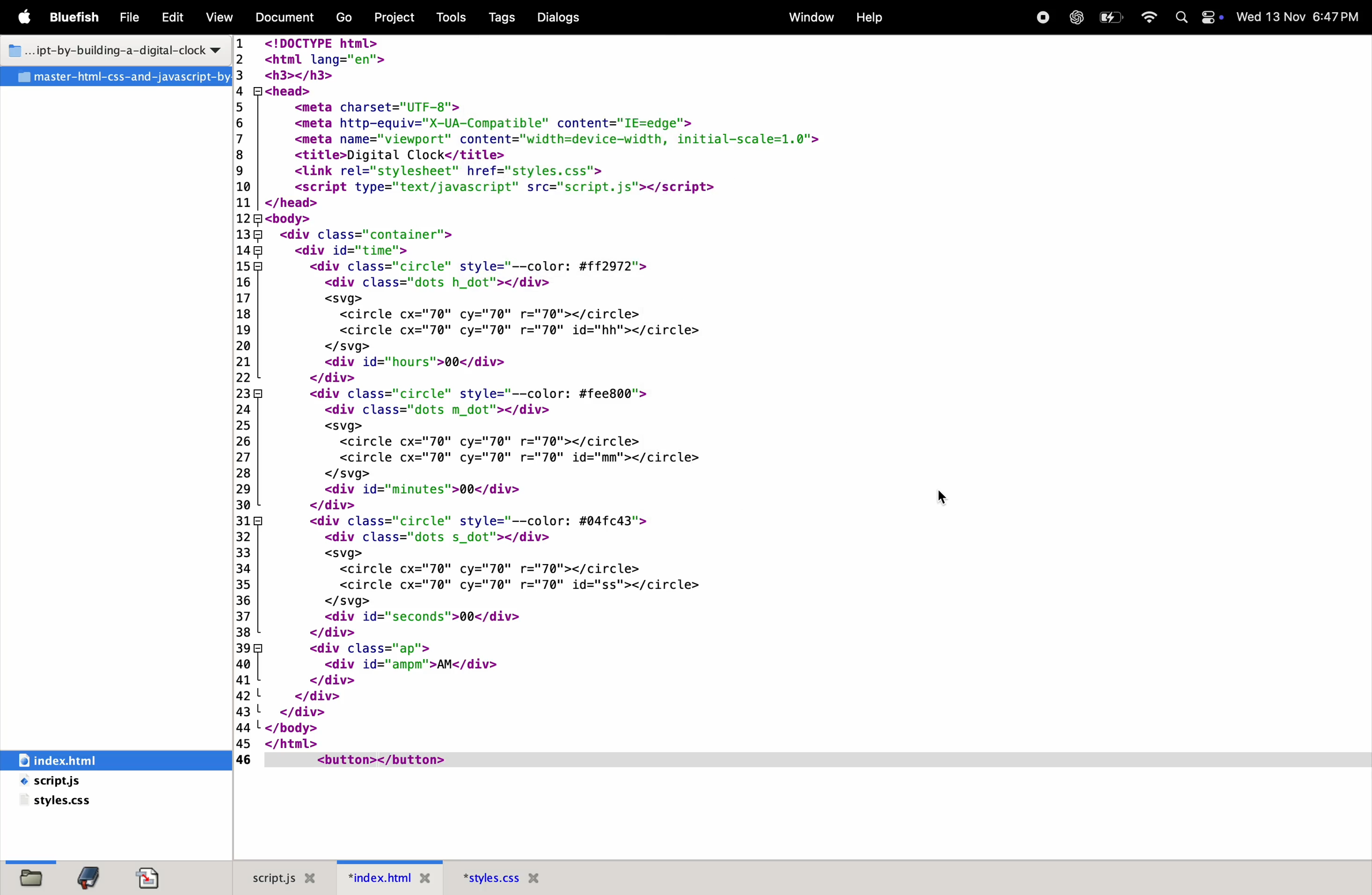 The image size is (1372, 895). I want to click on index.html, so click(377, 877).